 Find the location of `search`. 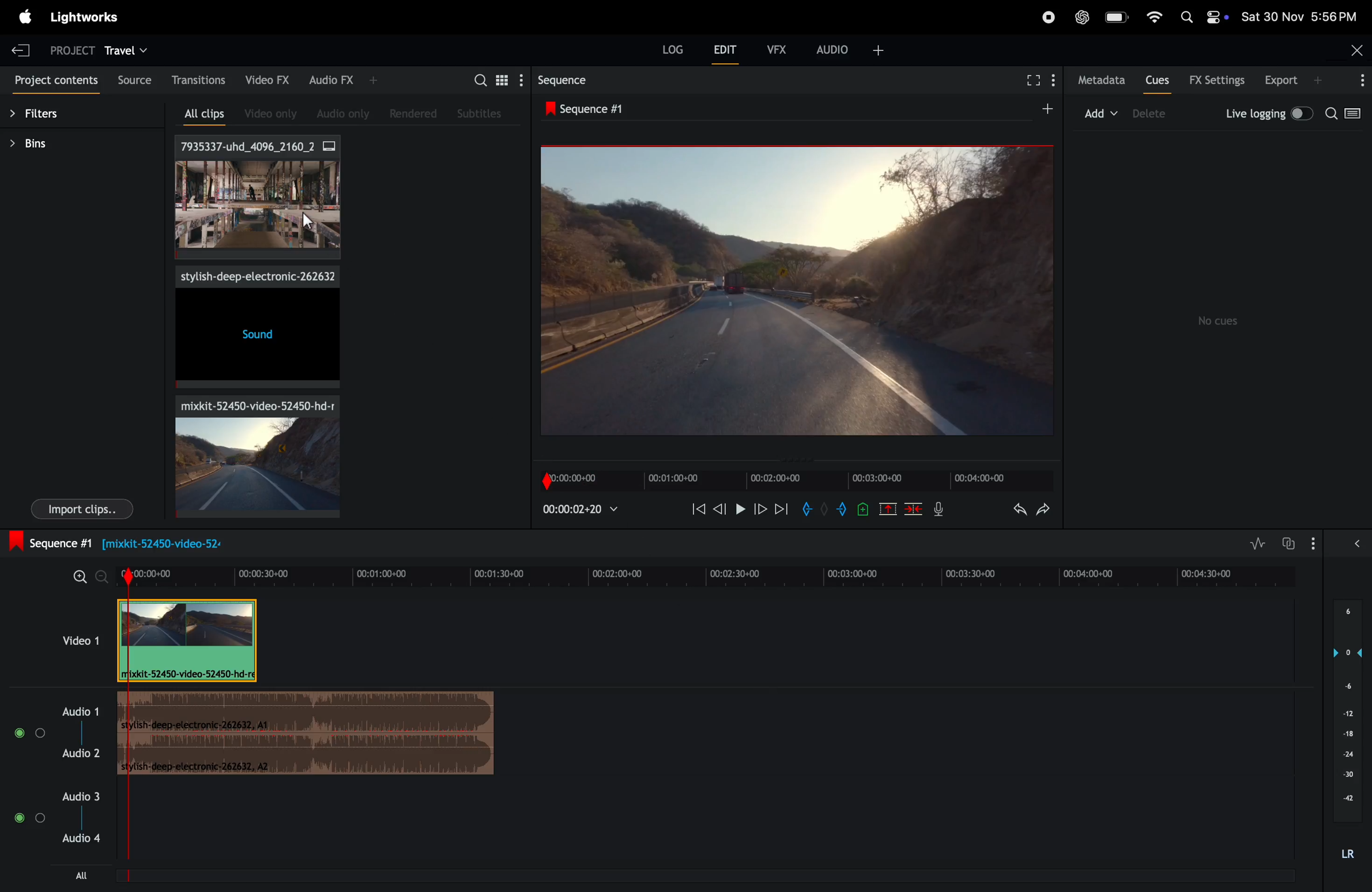

search is located at coordinates (488, 79).